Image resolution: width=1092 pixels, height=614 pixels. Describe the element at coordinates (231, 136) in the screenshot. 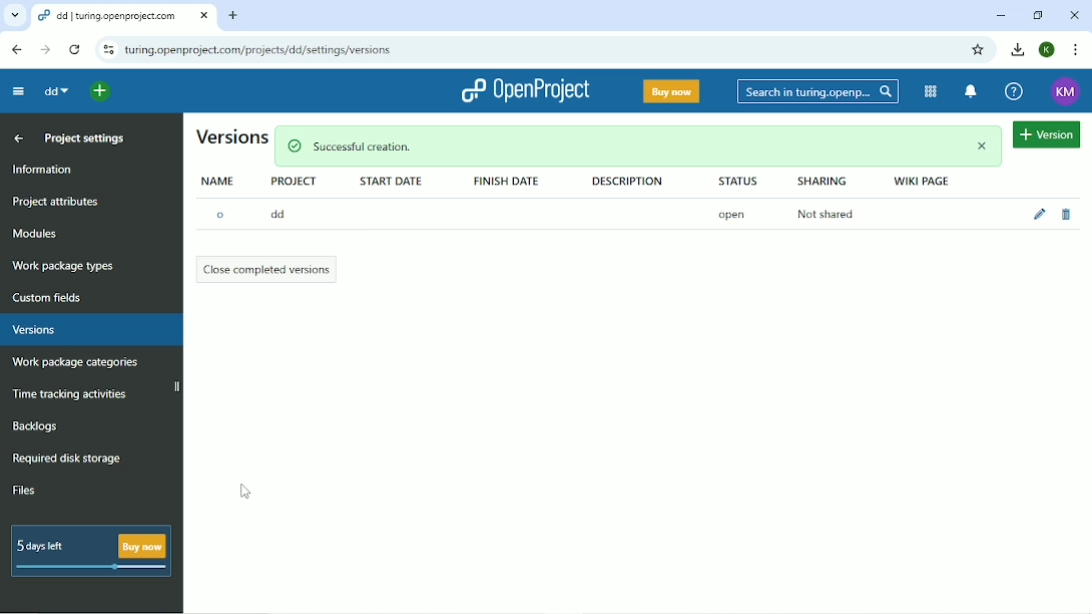

I see `New version` at that location.